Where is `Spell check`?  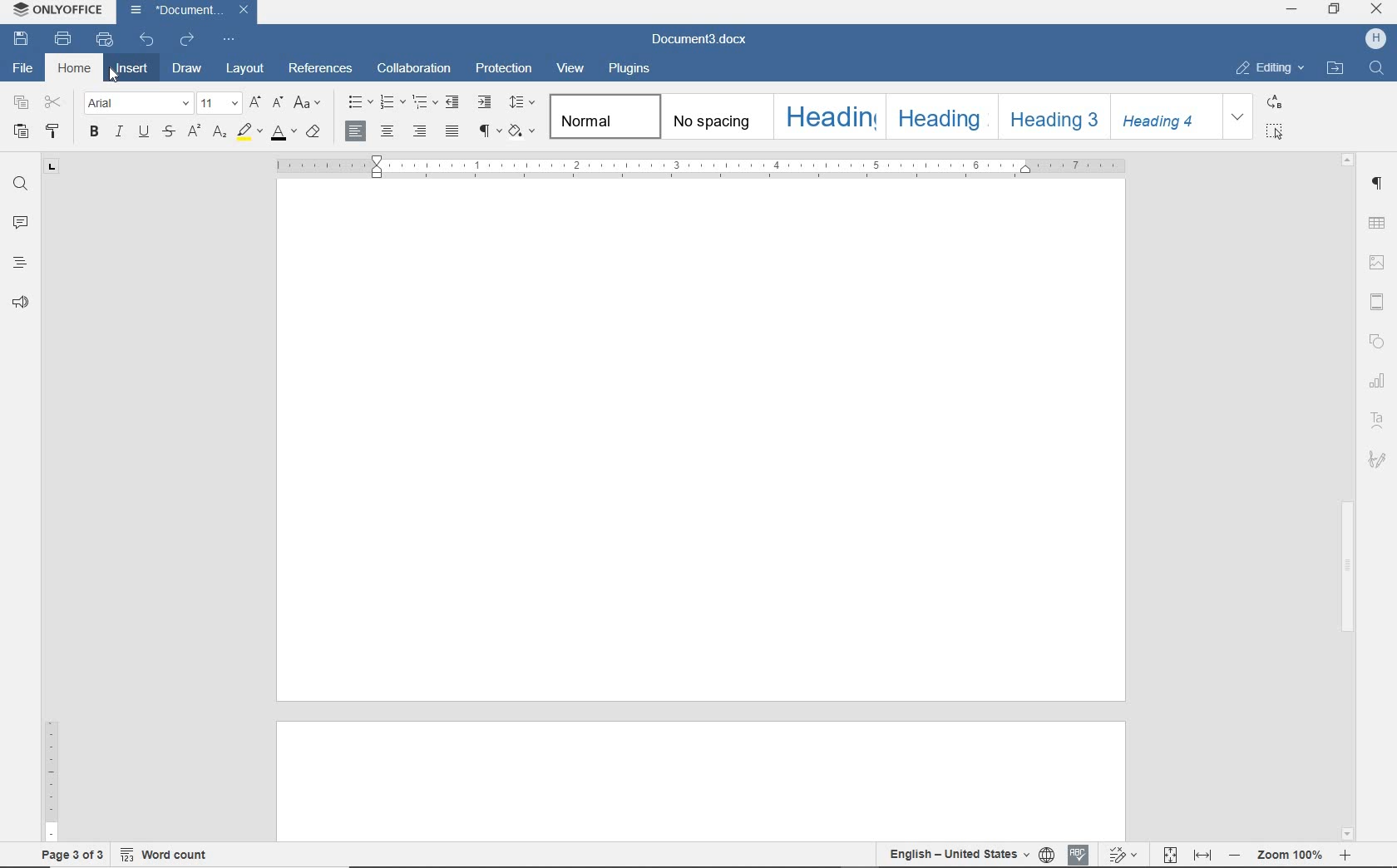
Spell check is located at coordinates (1079, 852).